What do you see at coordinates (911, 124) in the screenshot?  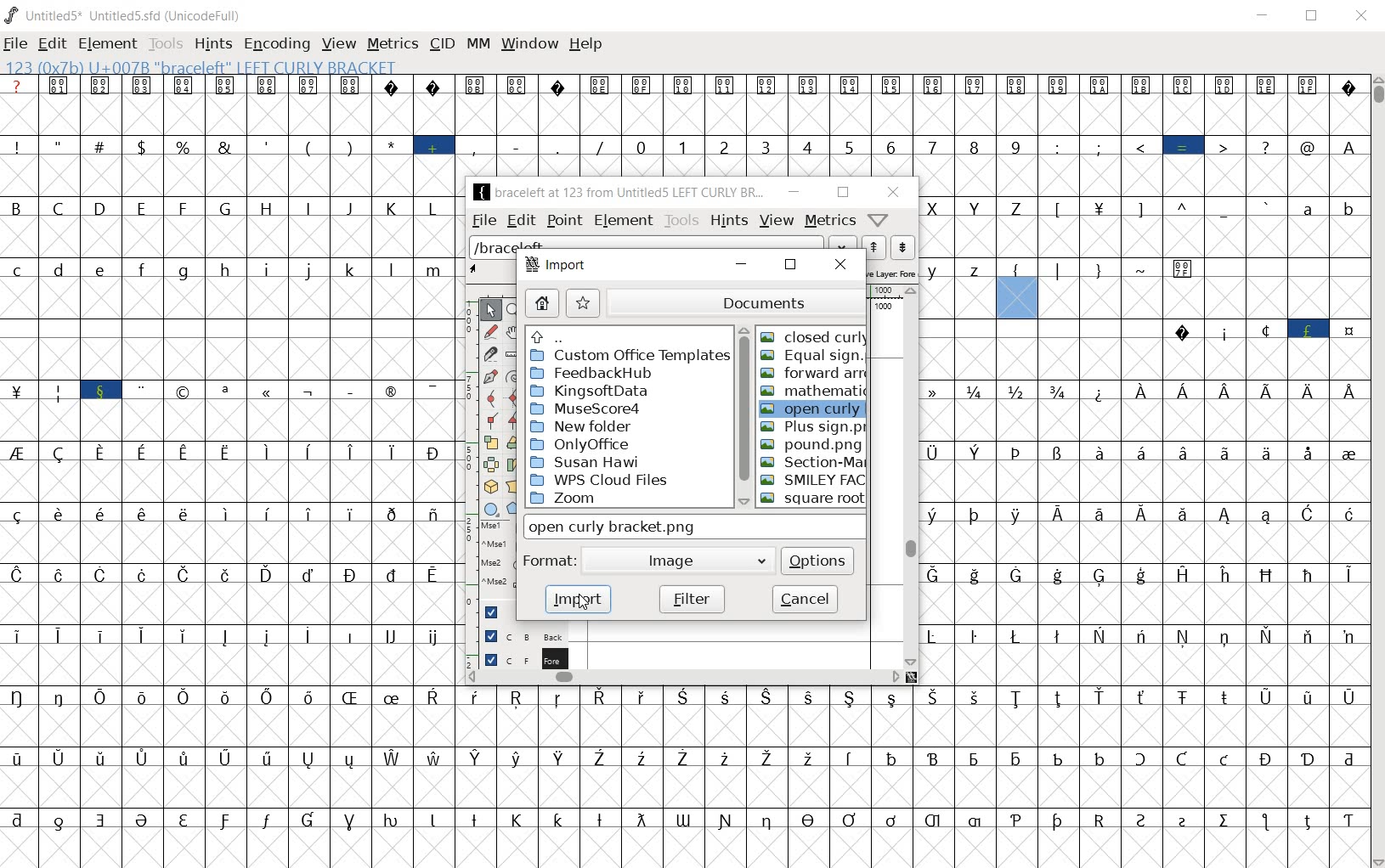 I see `glyph characters` at bounding box center [911, 124].